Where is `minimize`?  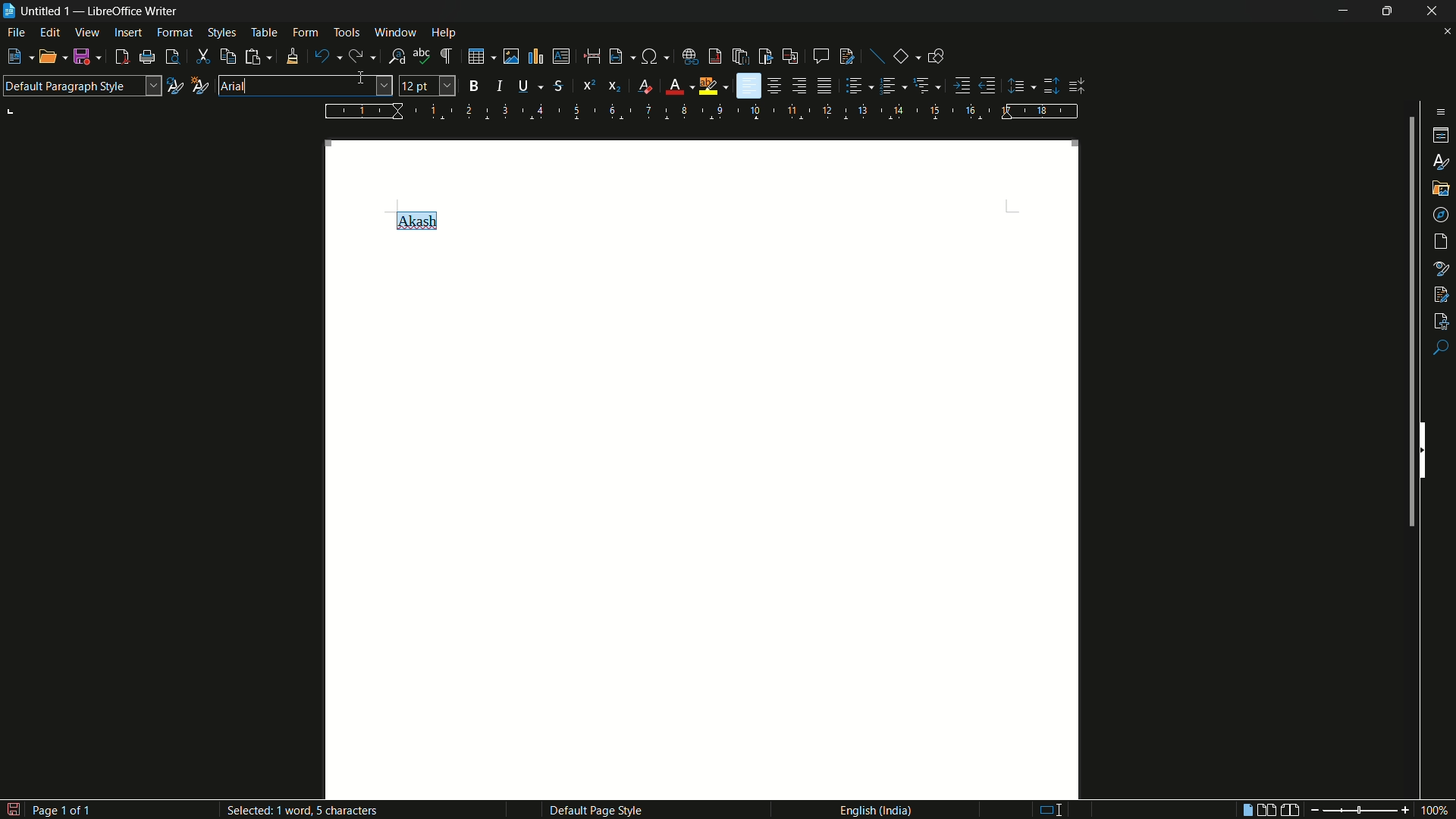
minimize is located at coordinates (1338, 11).